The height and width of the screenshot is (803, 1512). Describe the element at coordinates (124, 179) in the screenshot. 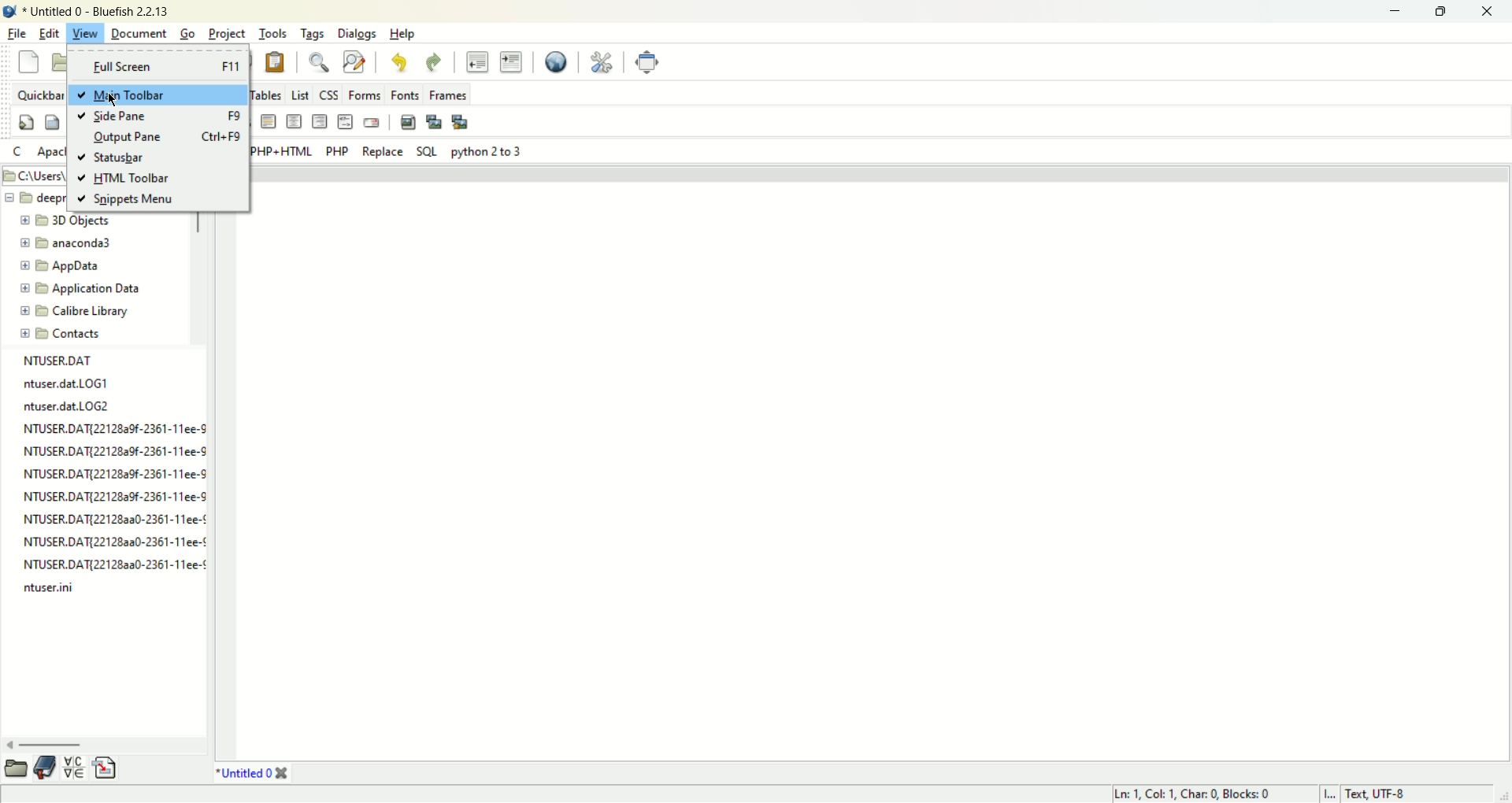

I see `HTML TOOLBAR` at that location.